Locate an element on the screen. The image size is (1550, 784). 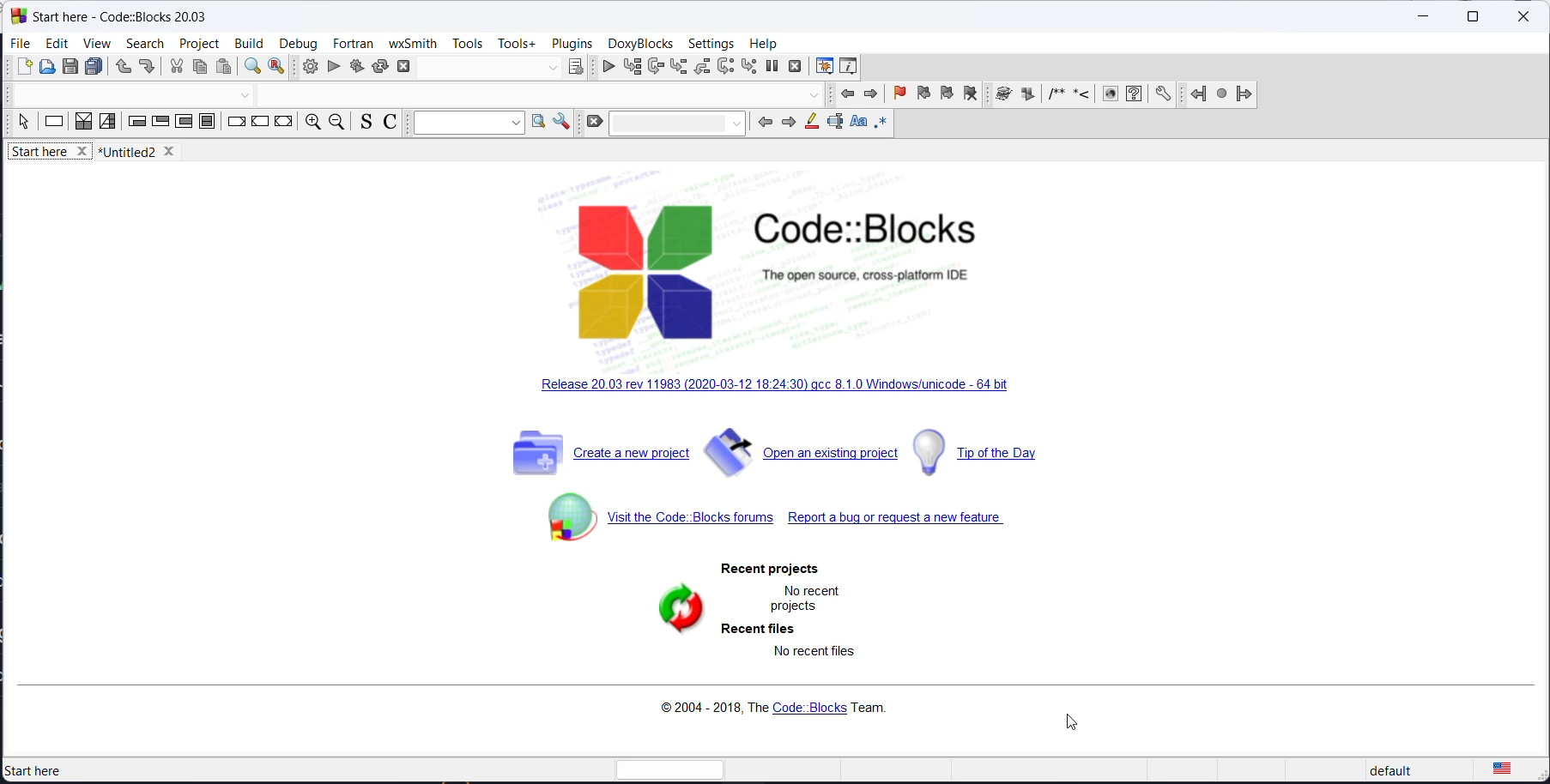
abort is located at coordinates (409, 65).